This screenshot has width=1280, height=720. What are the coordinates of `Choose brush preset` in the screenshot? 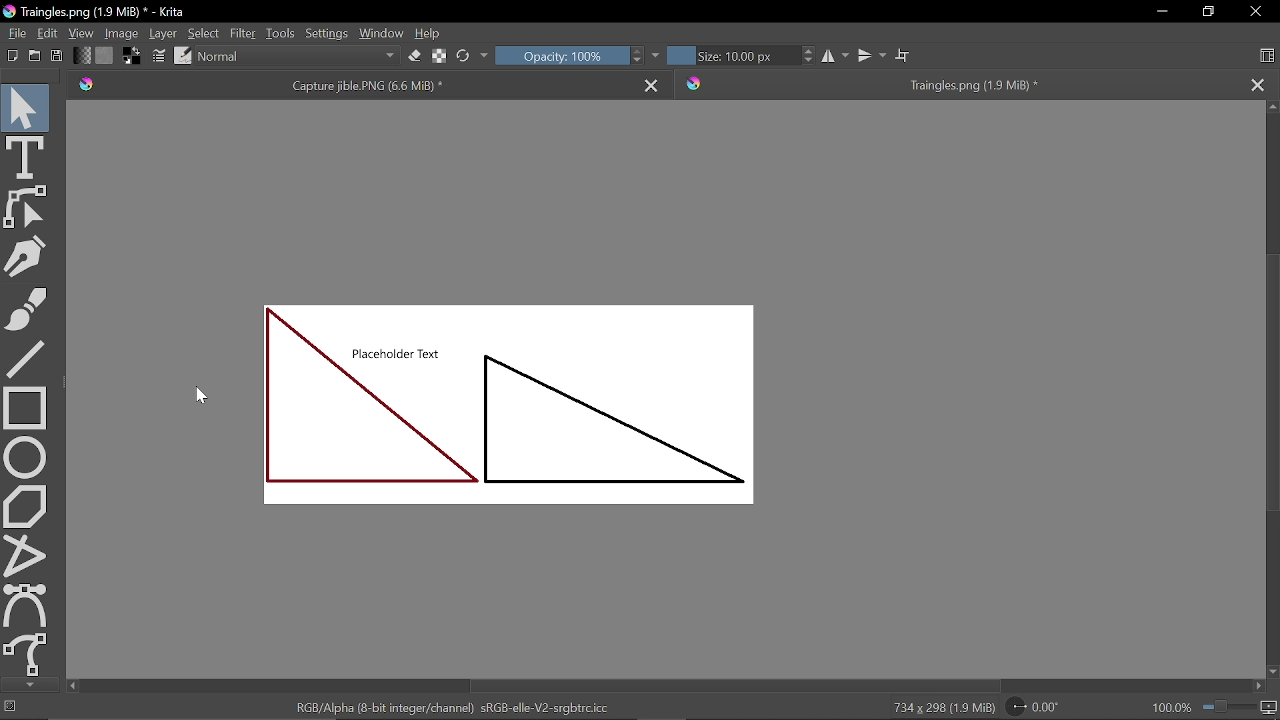 It's located at (464, 56).